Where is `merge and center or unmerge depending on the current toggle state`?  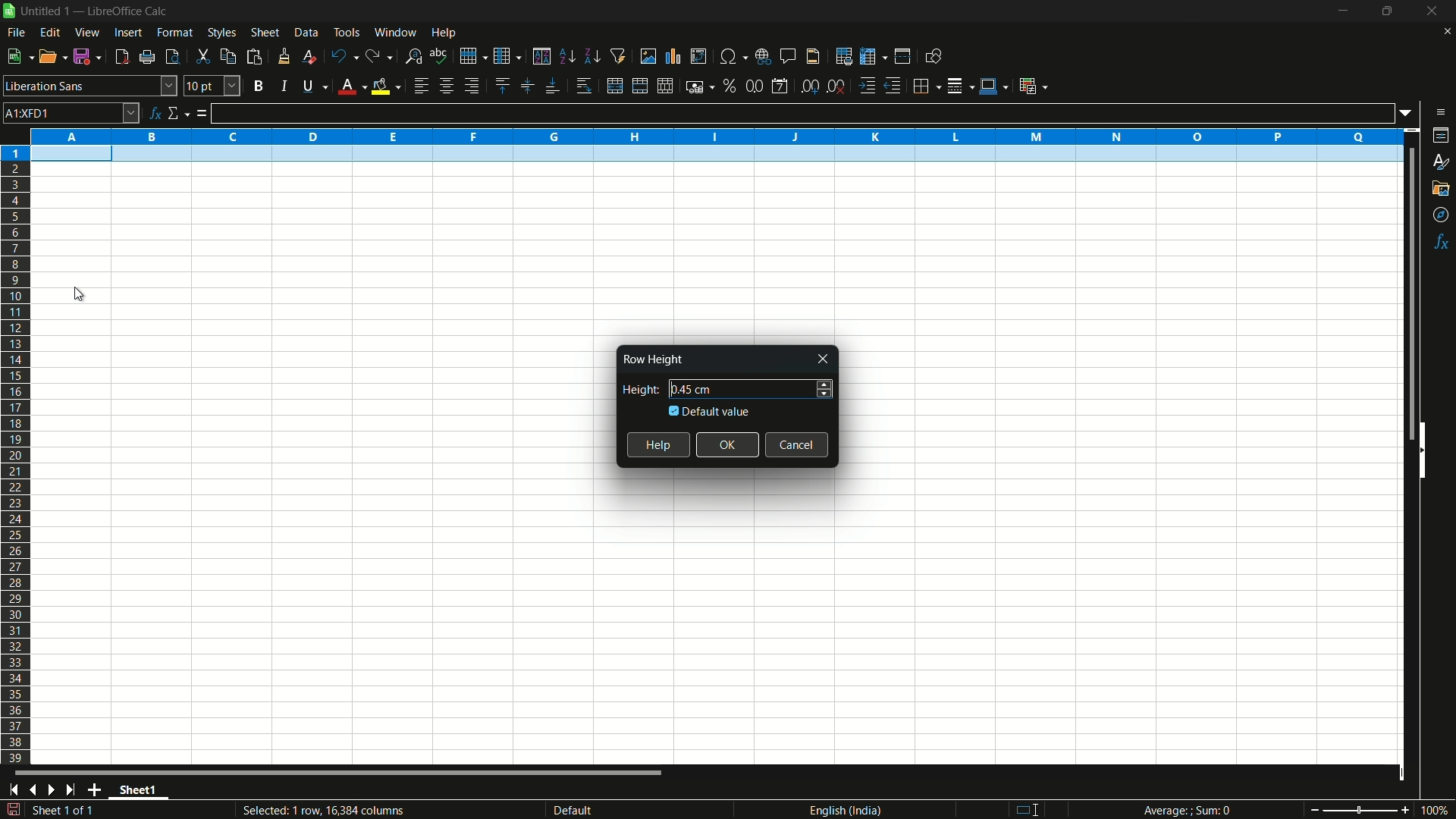
merge and center or unmerge depending on the current toggle state is located at coordinates (613, 86).